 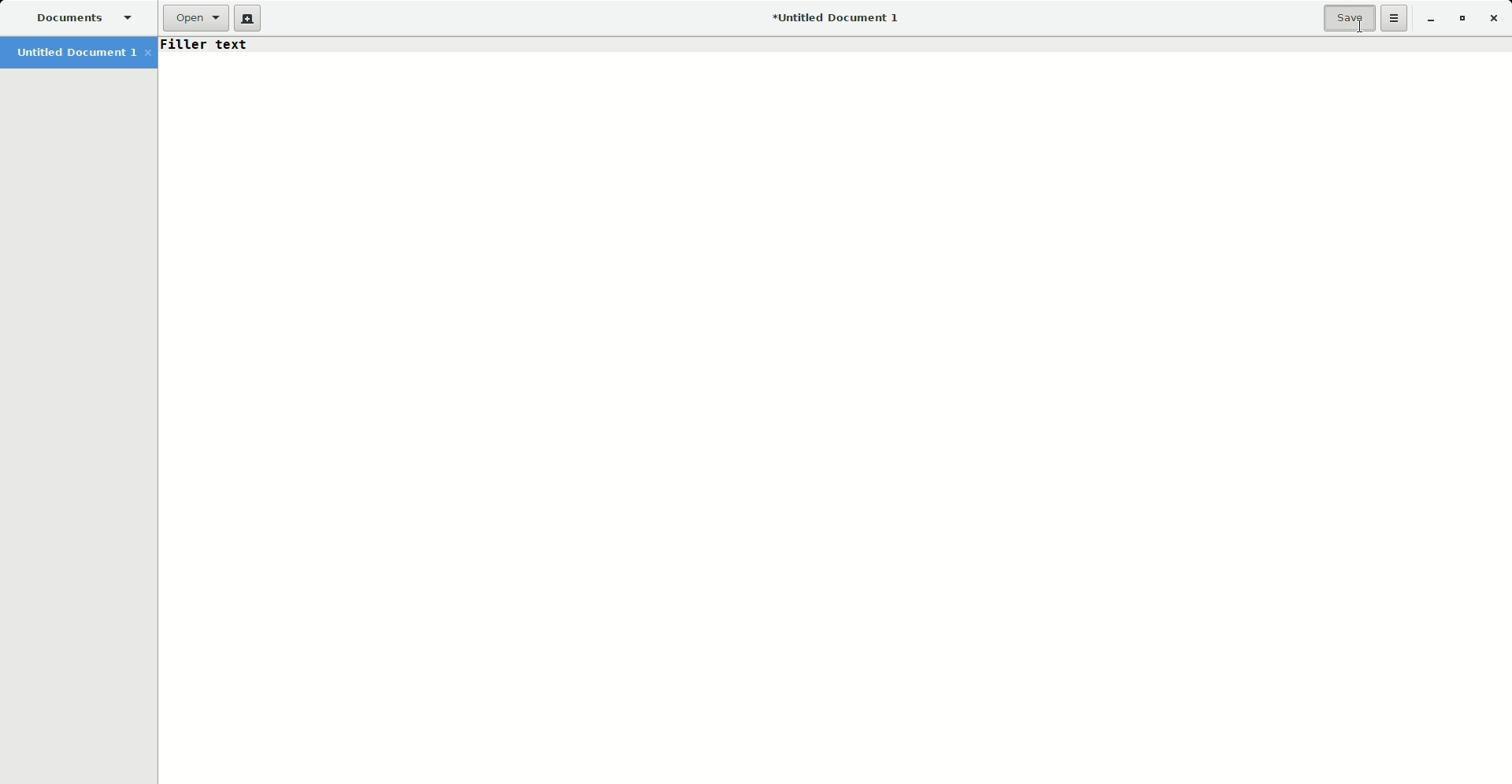 What do you see at coordinates (1427, 19) in the screenshot?
I see `Minimize` at bounding box center [1427, 19].